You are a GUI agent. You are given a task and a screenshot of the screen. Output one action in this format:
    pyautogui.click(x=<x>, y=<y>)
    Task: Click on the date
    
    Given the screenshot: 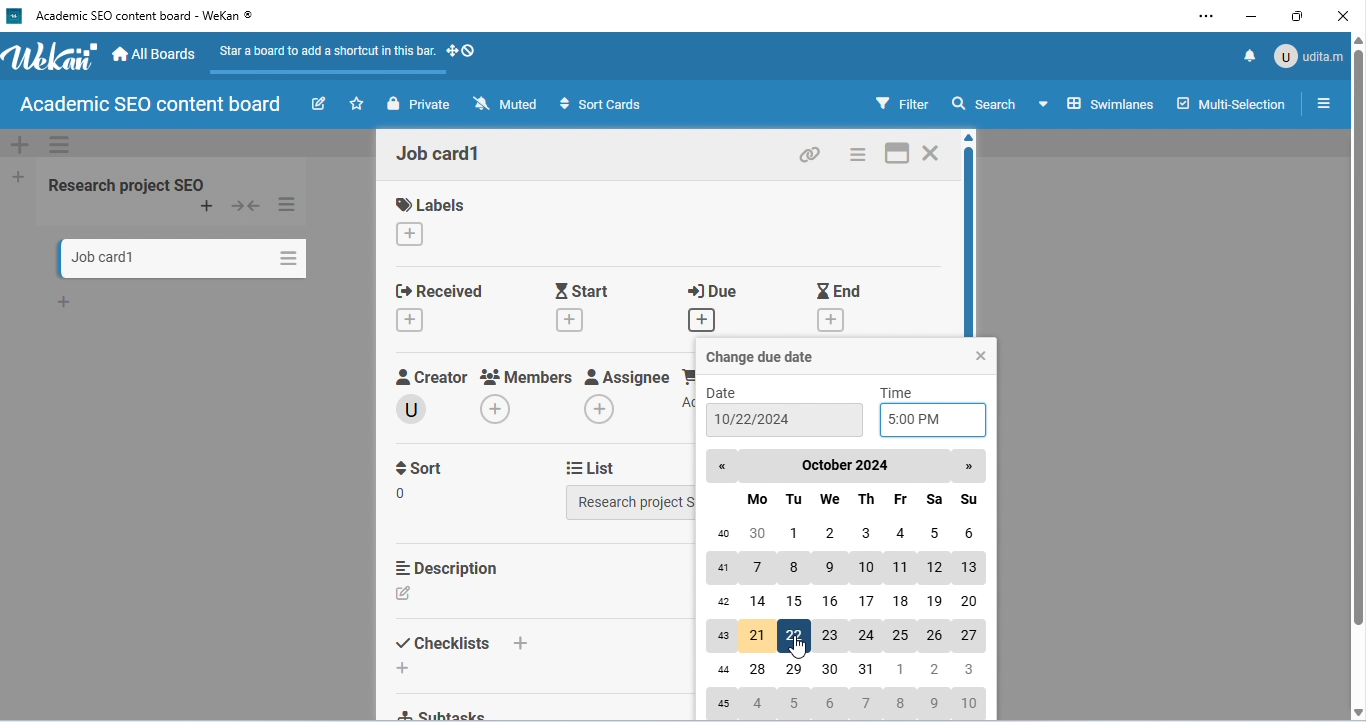 What is the action you would take?
    pyautogui.click(x=725, y=392)
    